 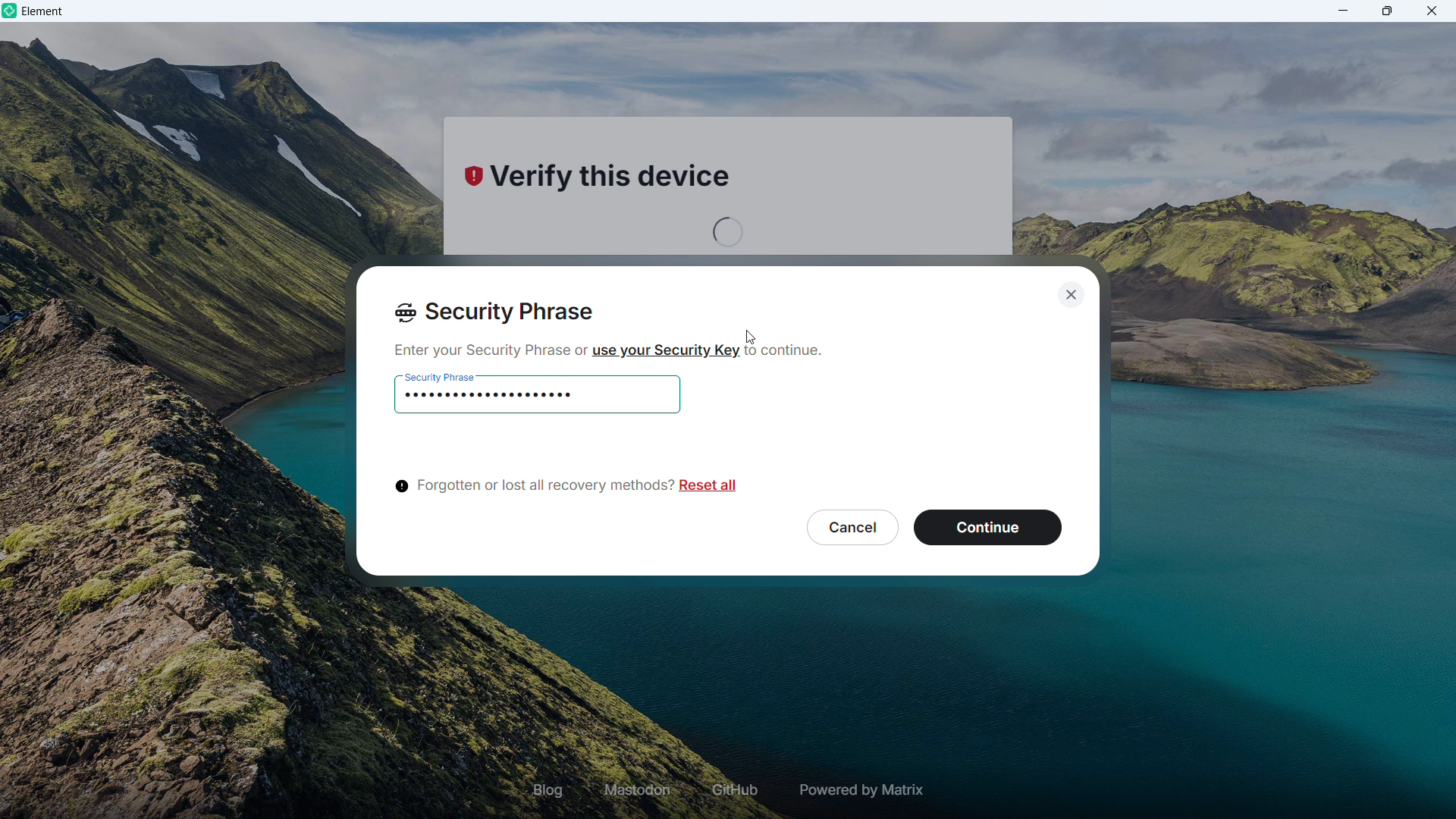 I want to click on cancel , so click(x=849, y=526).